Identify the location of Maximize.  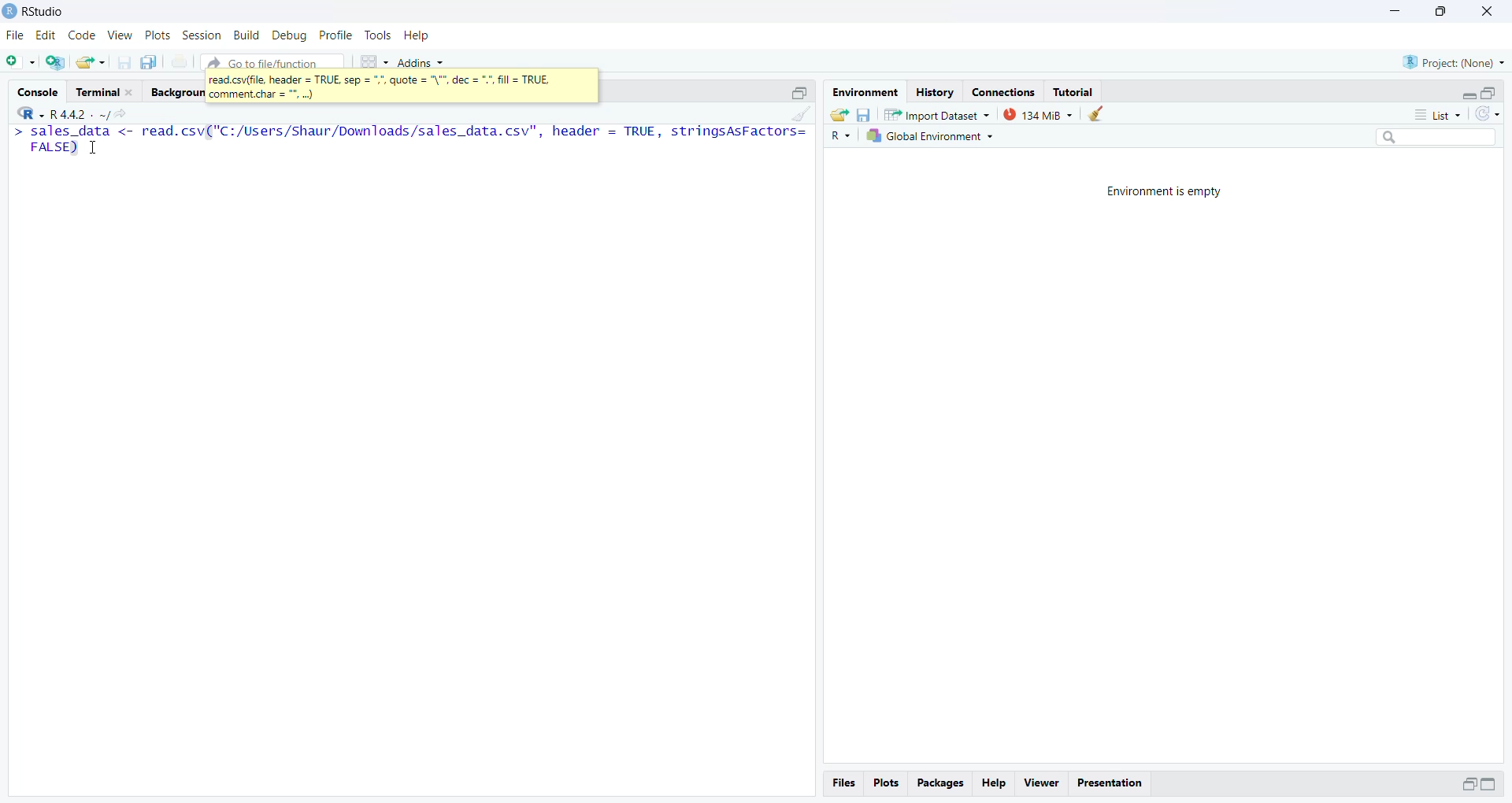
(798, 93).